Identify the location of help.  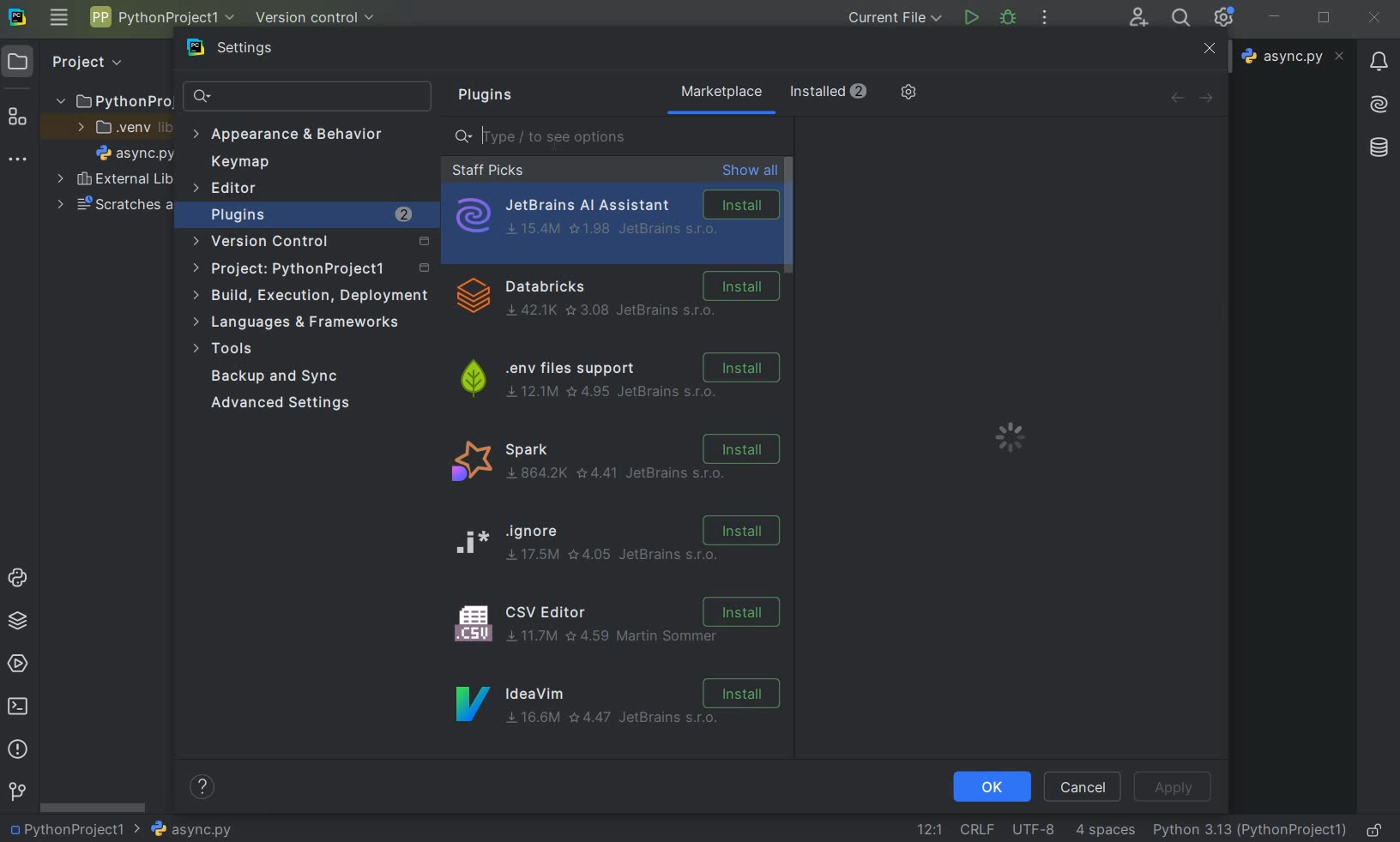
(204, 789).